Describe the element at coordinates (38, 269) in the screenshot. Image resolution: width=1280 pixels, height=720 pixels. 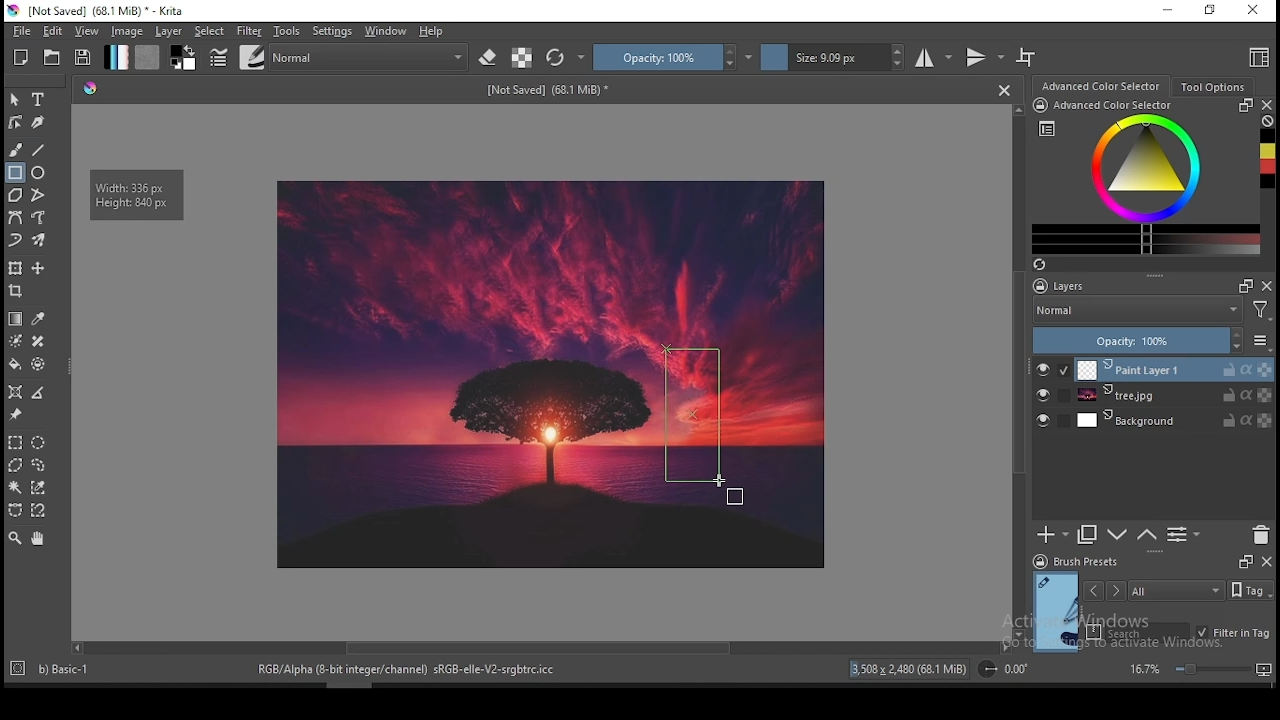
I see `move a layer` at that location.